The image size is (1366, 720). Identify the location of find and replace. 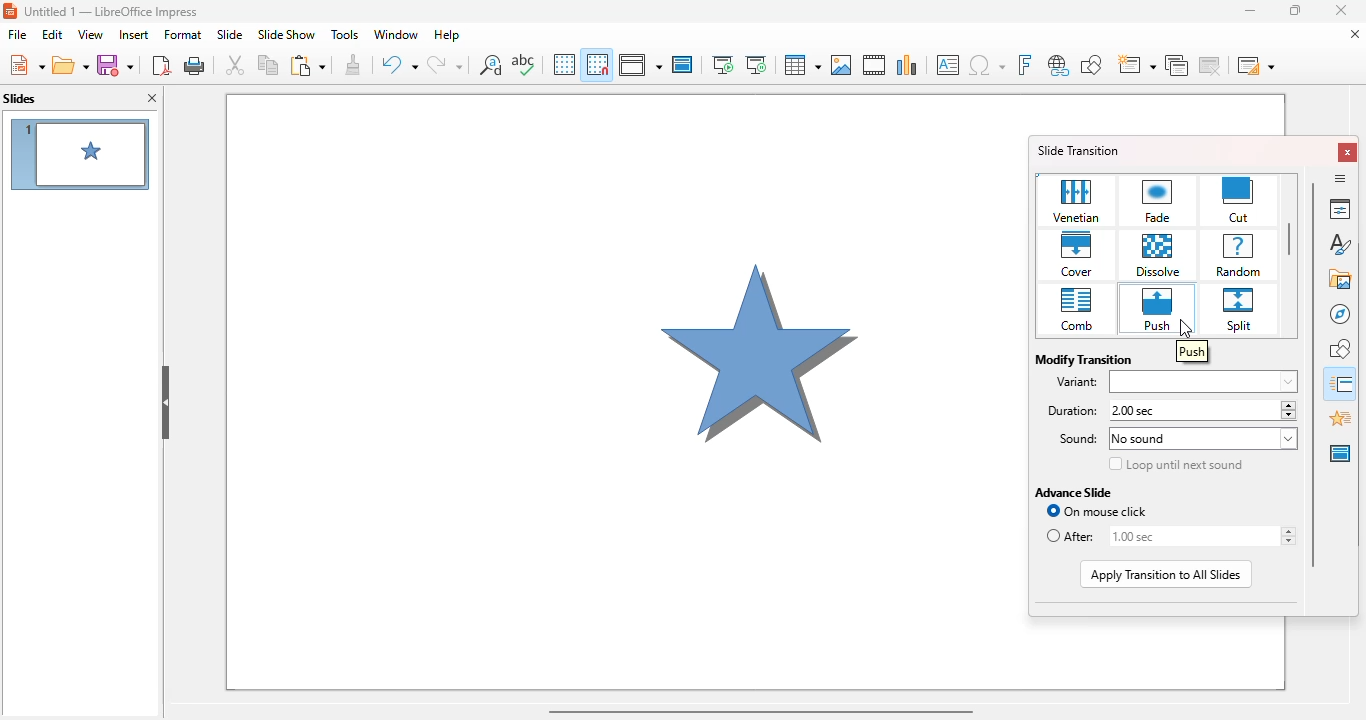
(491, 64).